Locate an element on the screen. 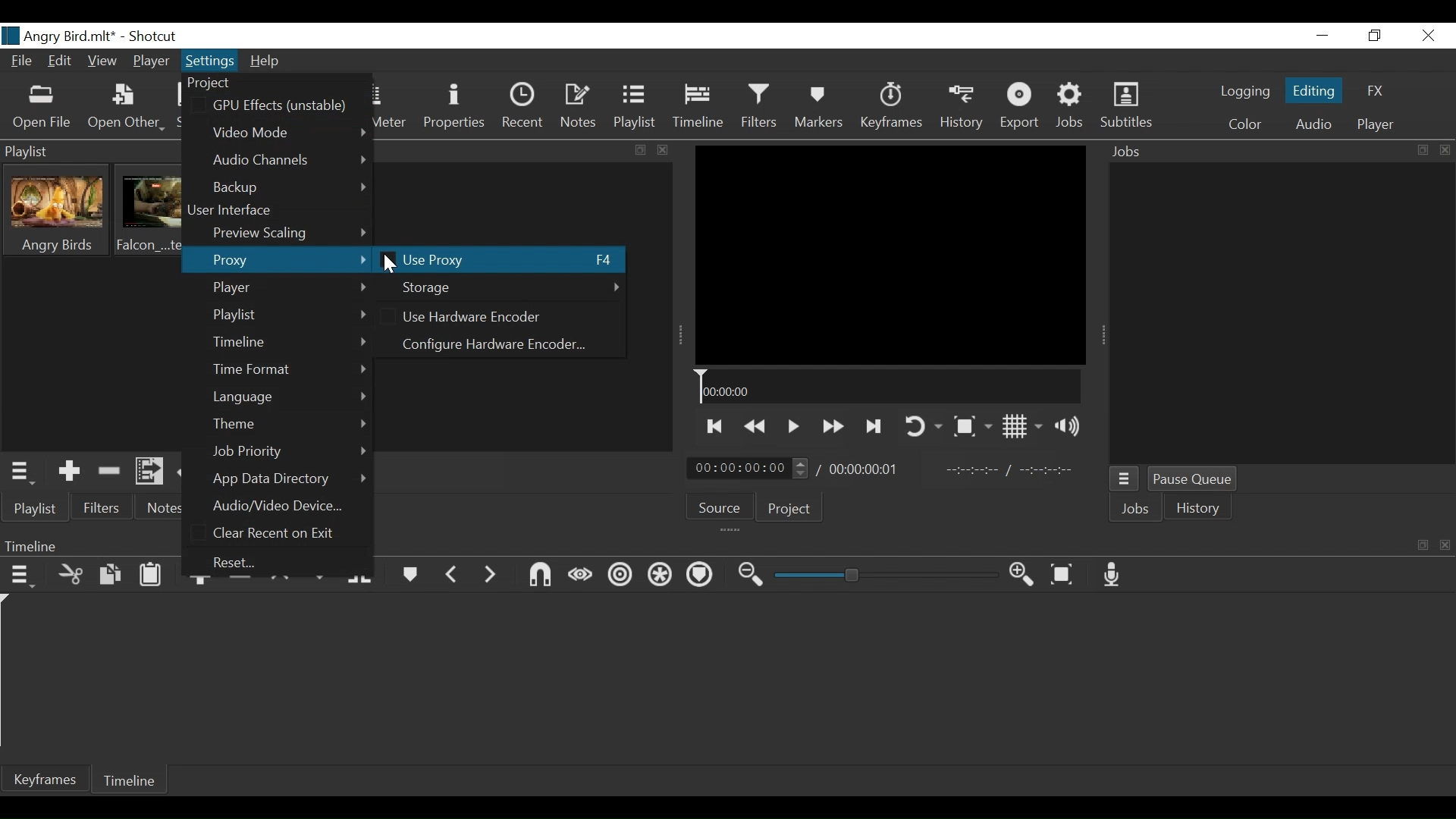 The image size is (1456, 819). Current Position is located at coordinates (747, 467).